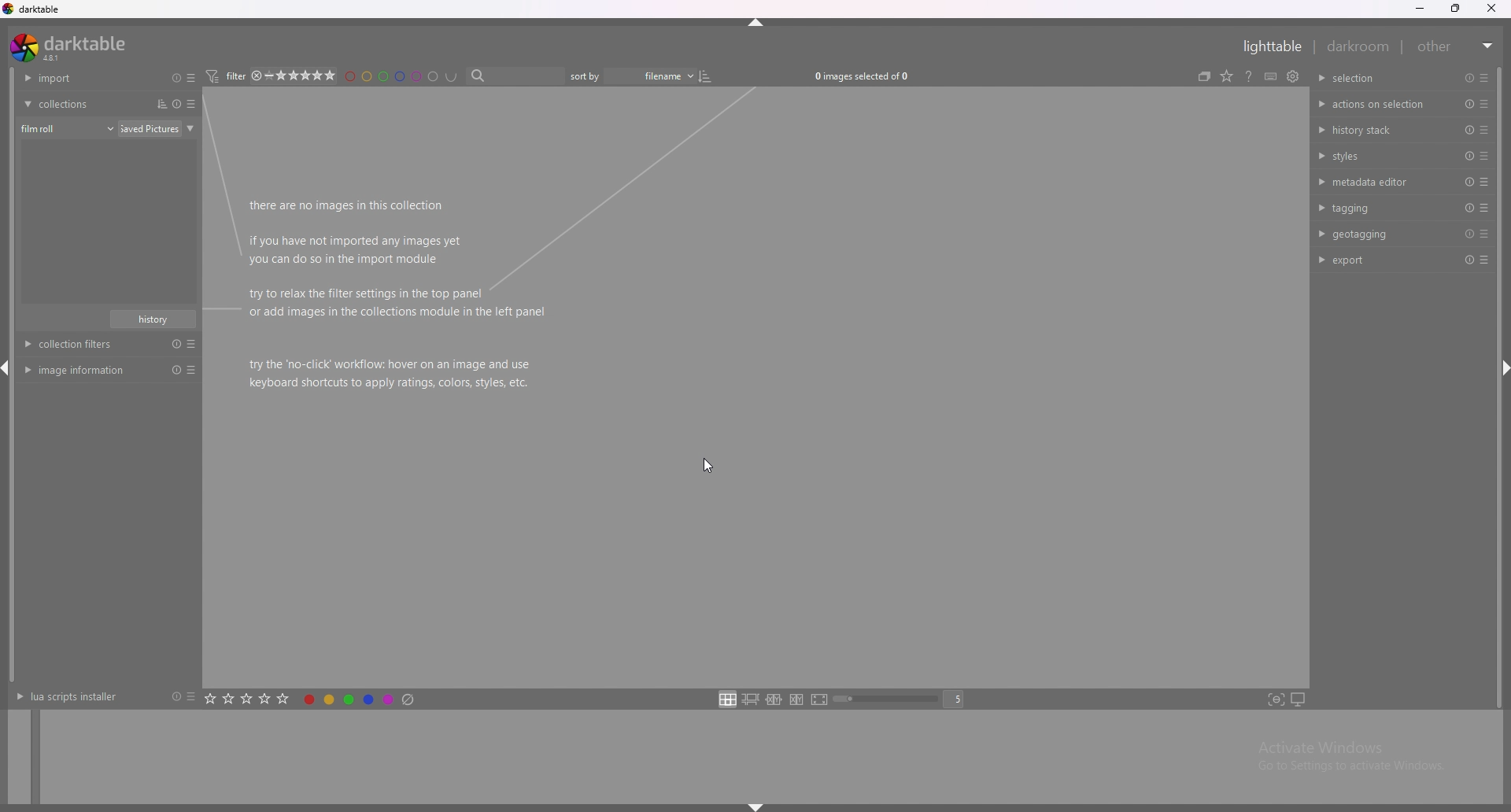 This screenshot has width=1511, height=812. Describe the element at coordinates (109, 370) in the screenshot. I see `image information` at that location.